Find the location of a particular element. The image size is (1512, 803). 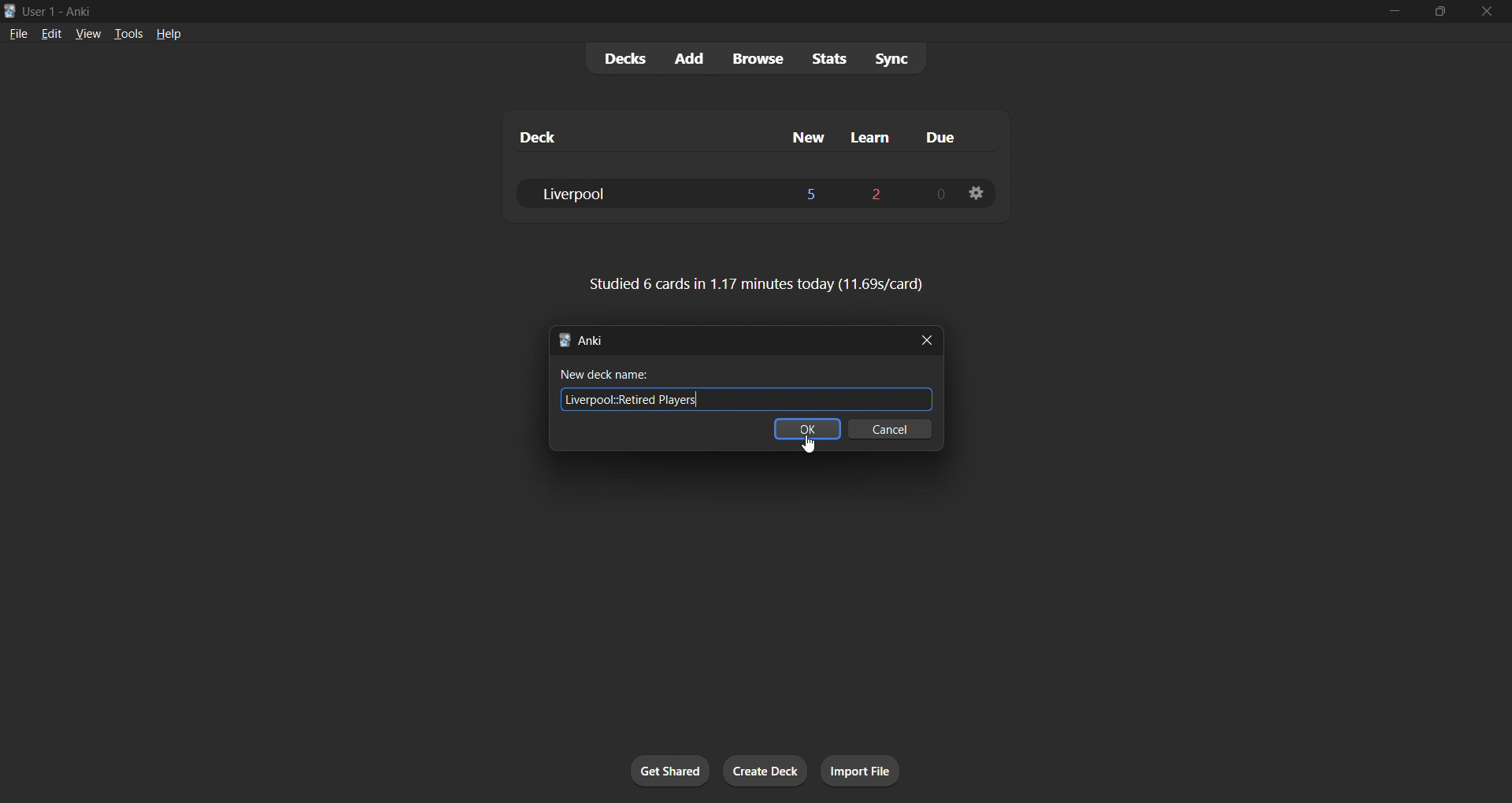

stats is located at coordinates (832, 57).